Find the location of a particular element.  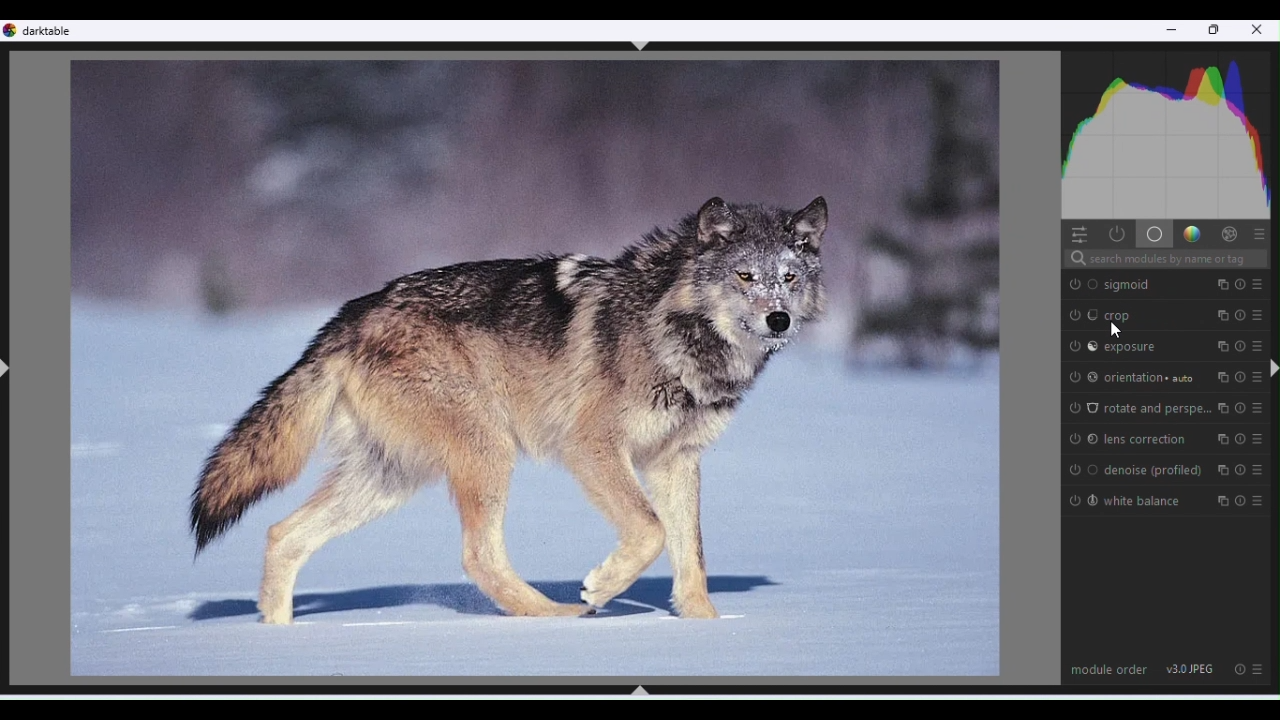

cursor is located at coordinates (1116, 331).